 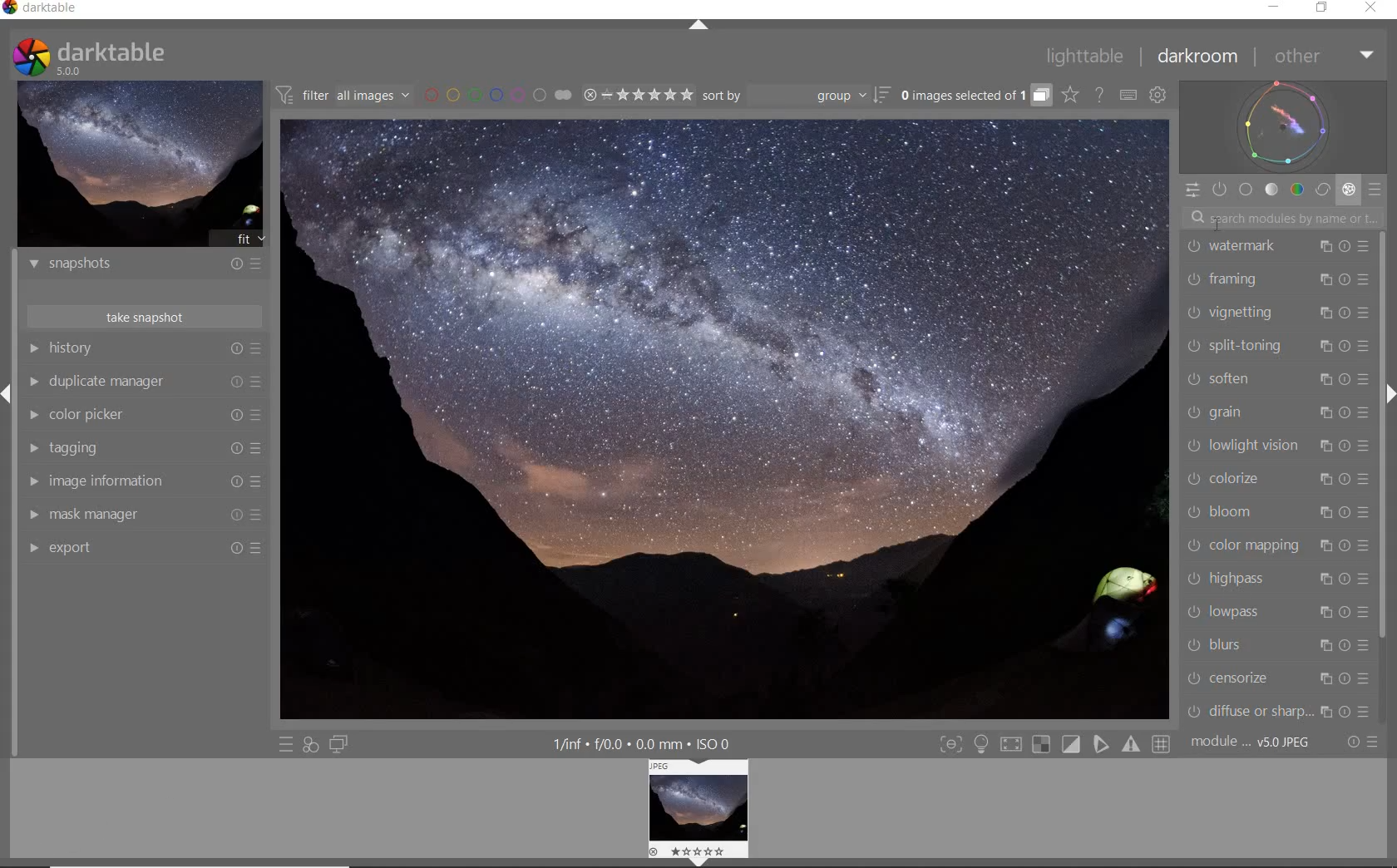 What do you see at coordinates (1325, 343) in the screenshot?
I see `multiple instance actions` at bounding box center [1325, 343].